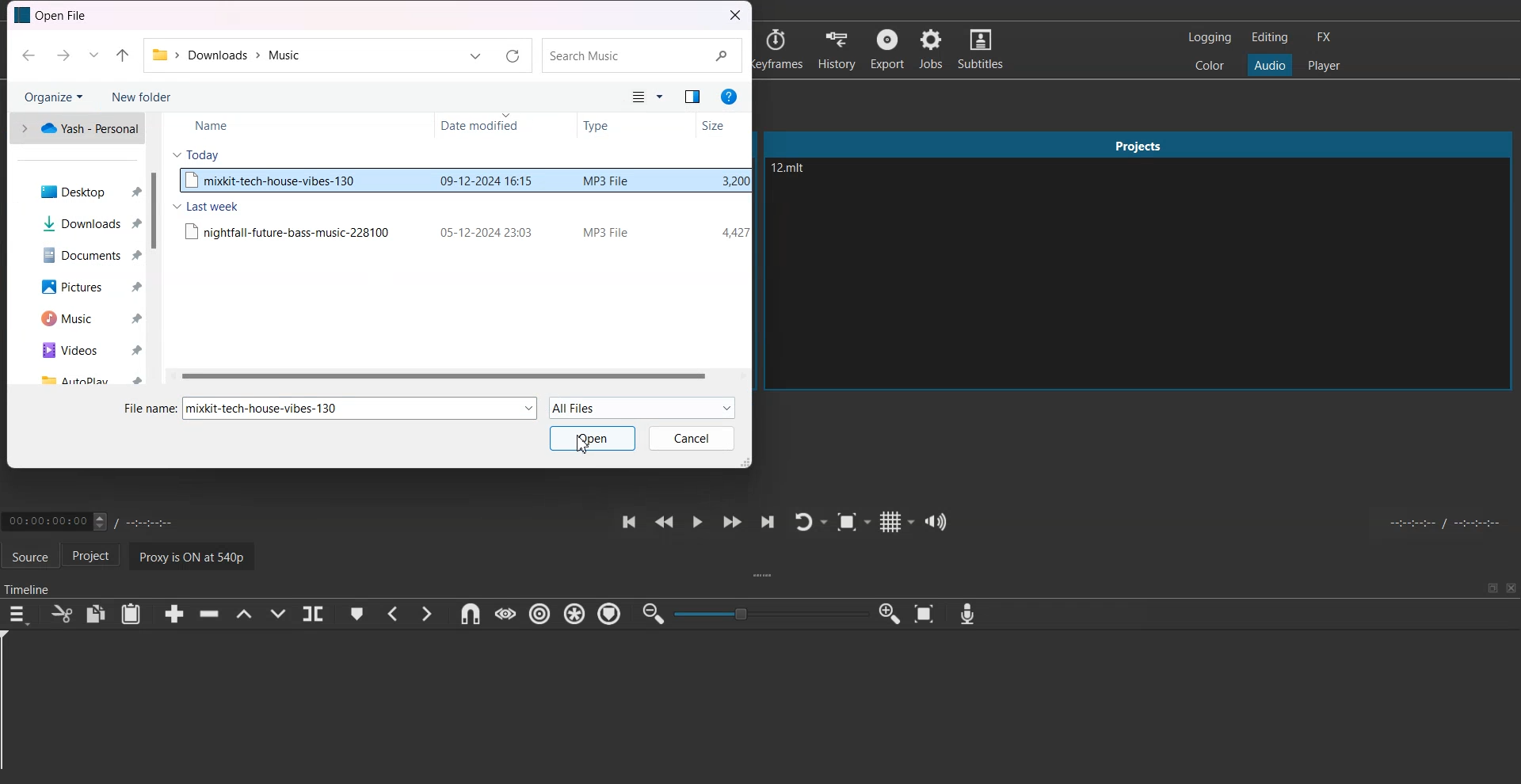  I want to click on Download, so click(83, 223).